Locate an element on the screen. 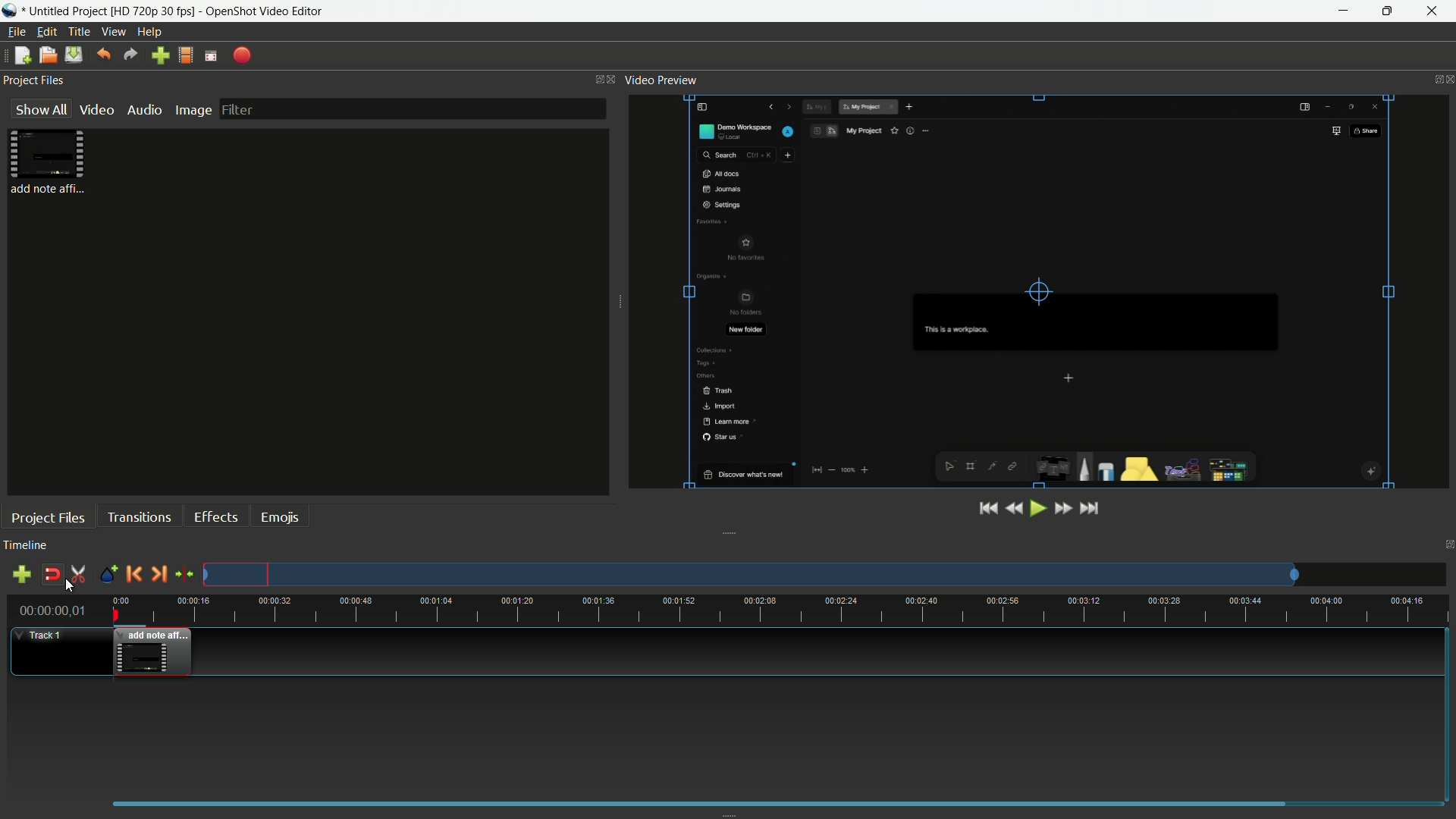  video preview is located at coordinates (663, 81).